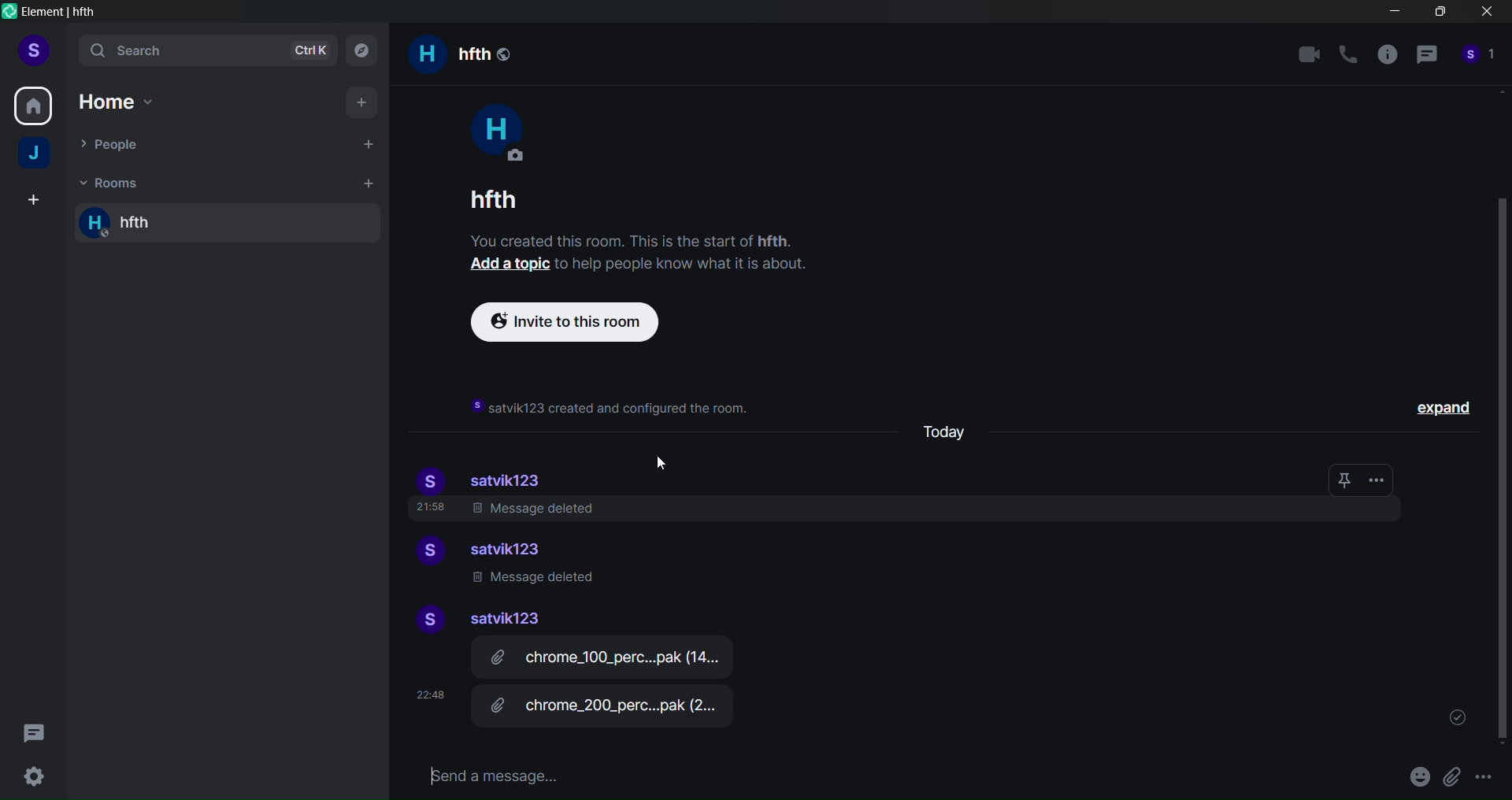 The height and width of the screenshot is (800, 1512). What do you see at coordinates (504, 513) in the screenshot?
I see `Message deleted` at bounding box center [504, 513].